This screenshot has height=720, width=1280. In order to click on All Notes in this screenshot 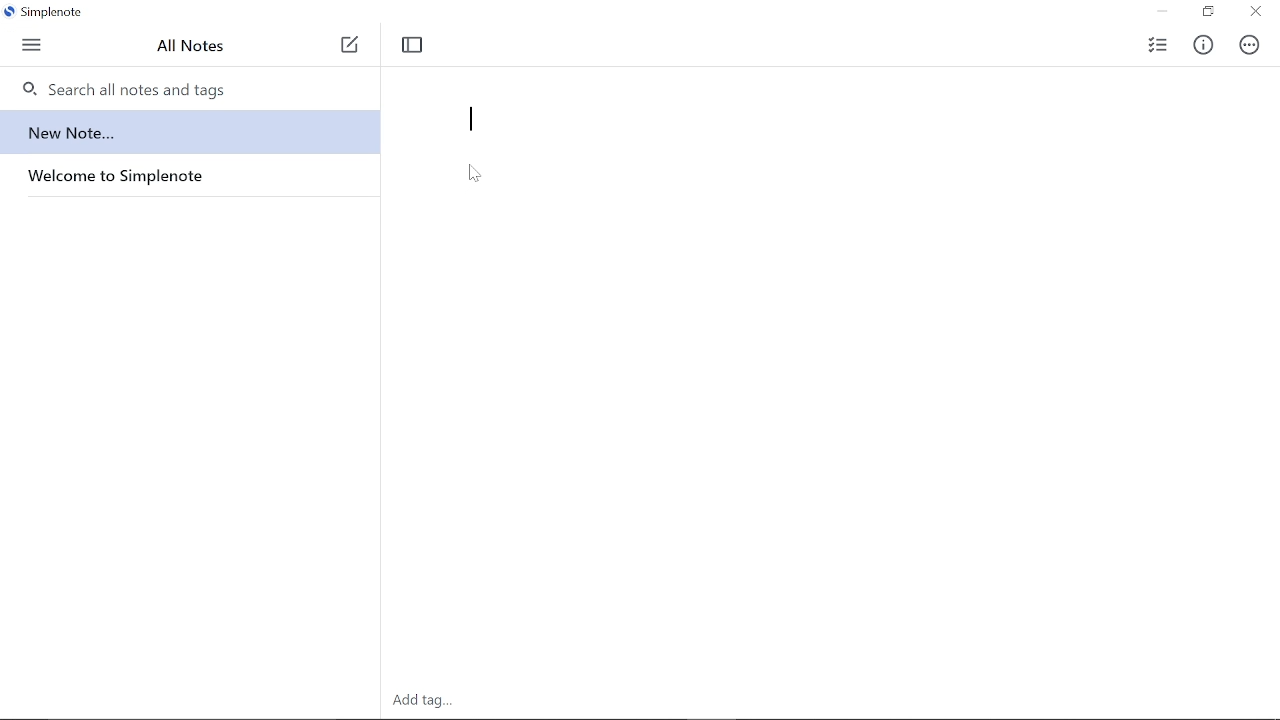, I will do `click(195, 47)`.